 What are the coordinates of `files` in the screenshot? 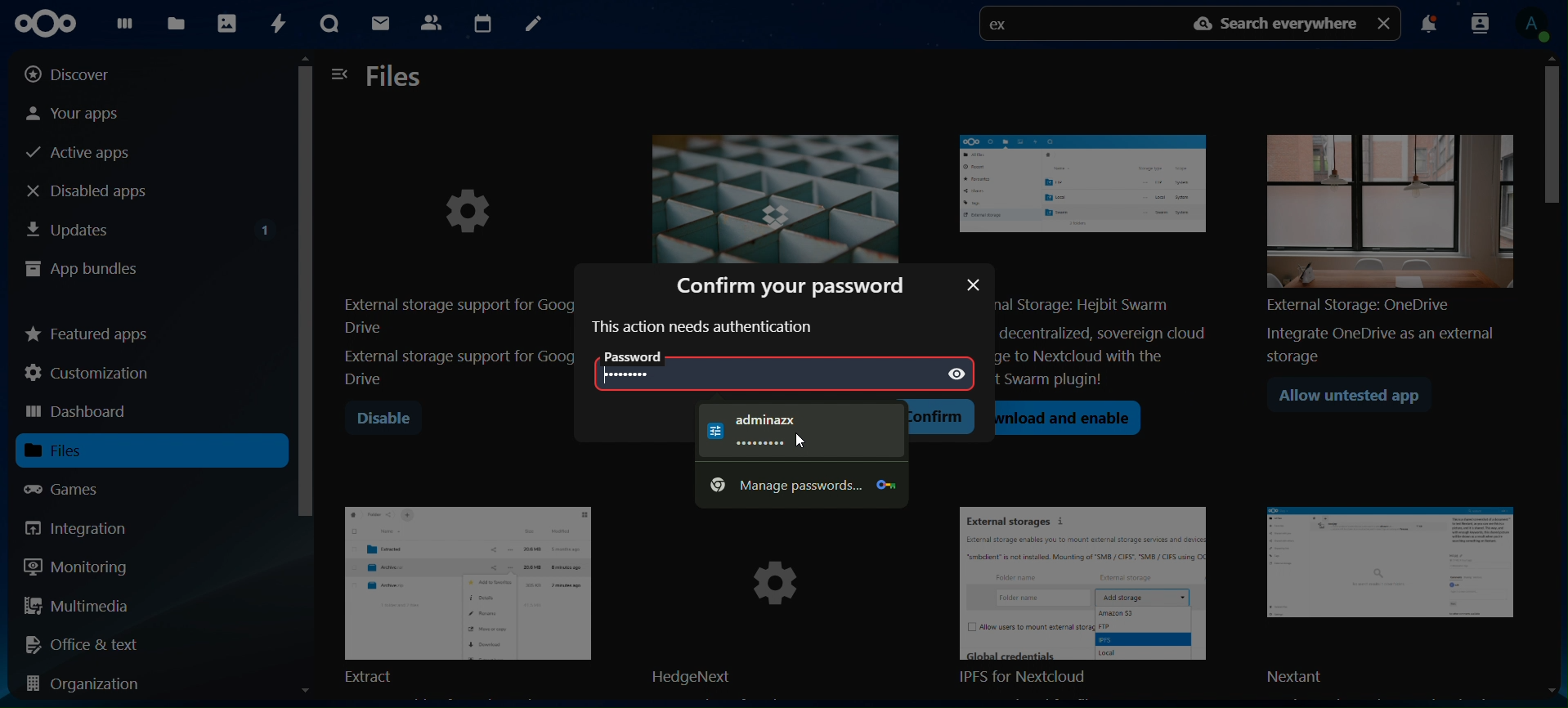 It's located at (396, 78).